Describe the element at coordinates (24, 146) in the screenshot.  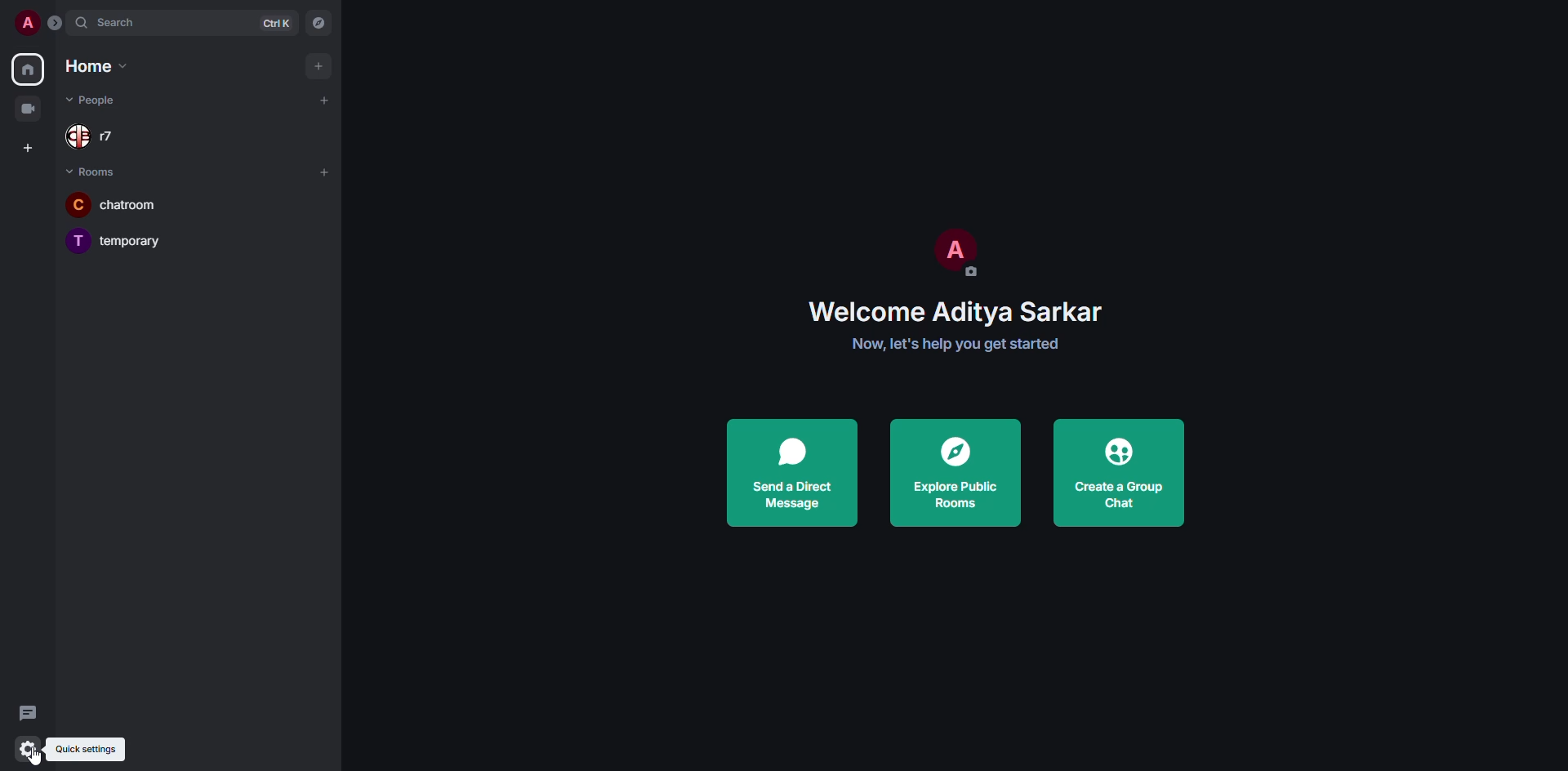
I see `create space` at that location.